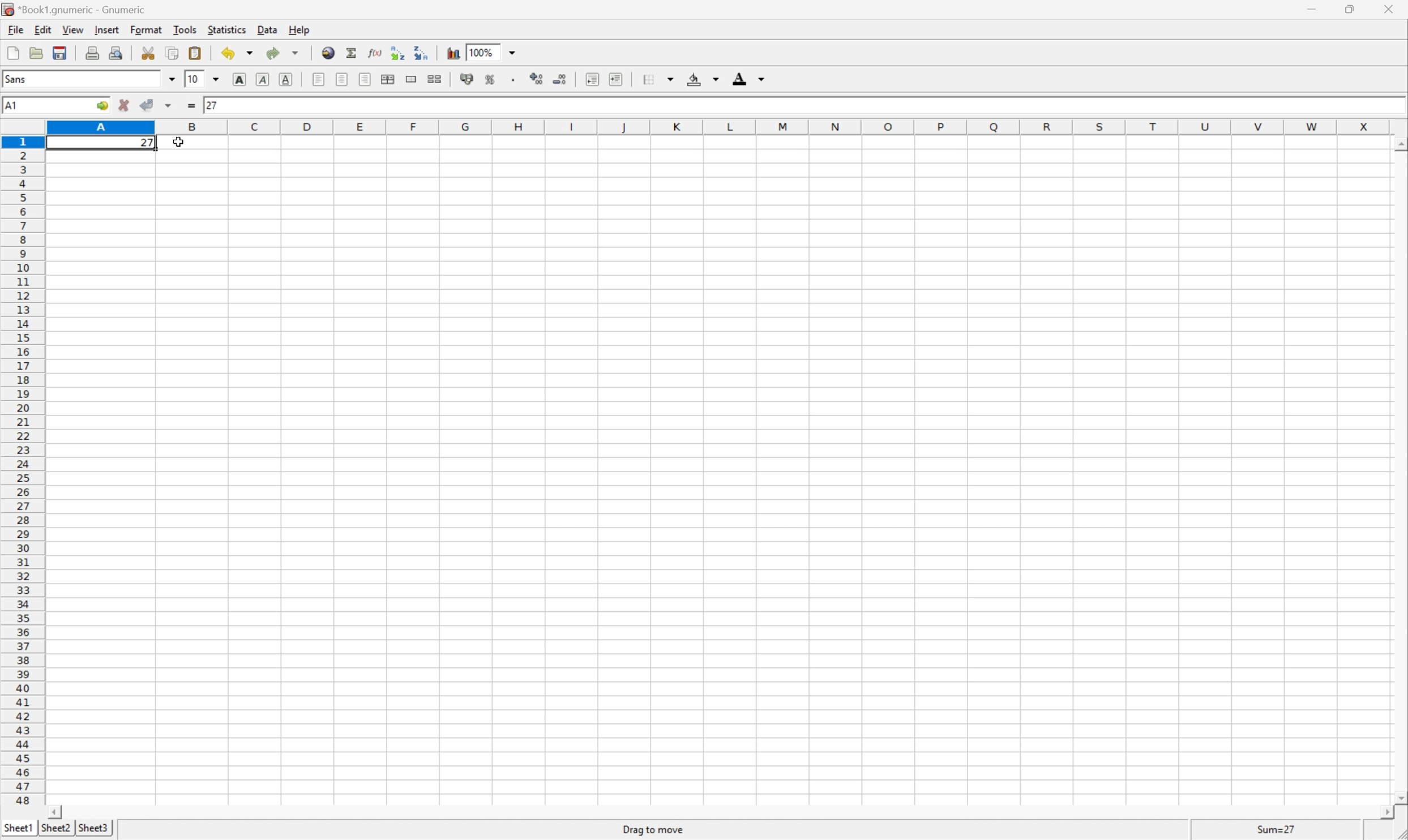 The height and width of the screenshot is (840, 1408). I want to click on Underline, so click(286, 81).